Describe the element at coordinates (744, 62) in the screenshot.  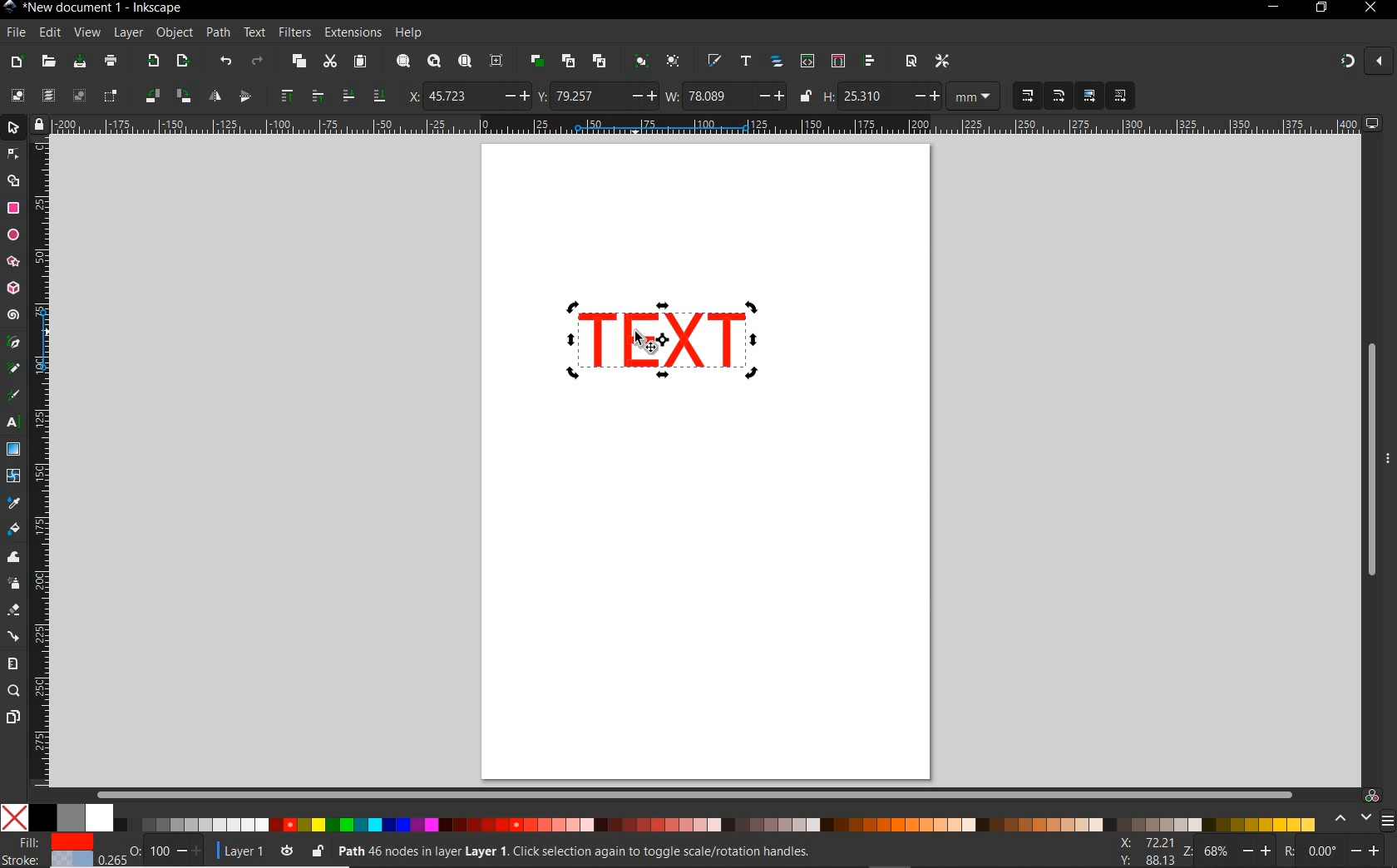
I see `OPEN TEXT` at that location.